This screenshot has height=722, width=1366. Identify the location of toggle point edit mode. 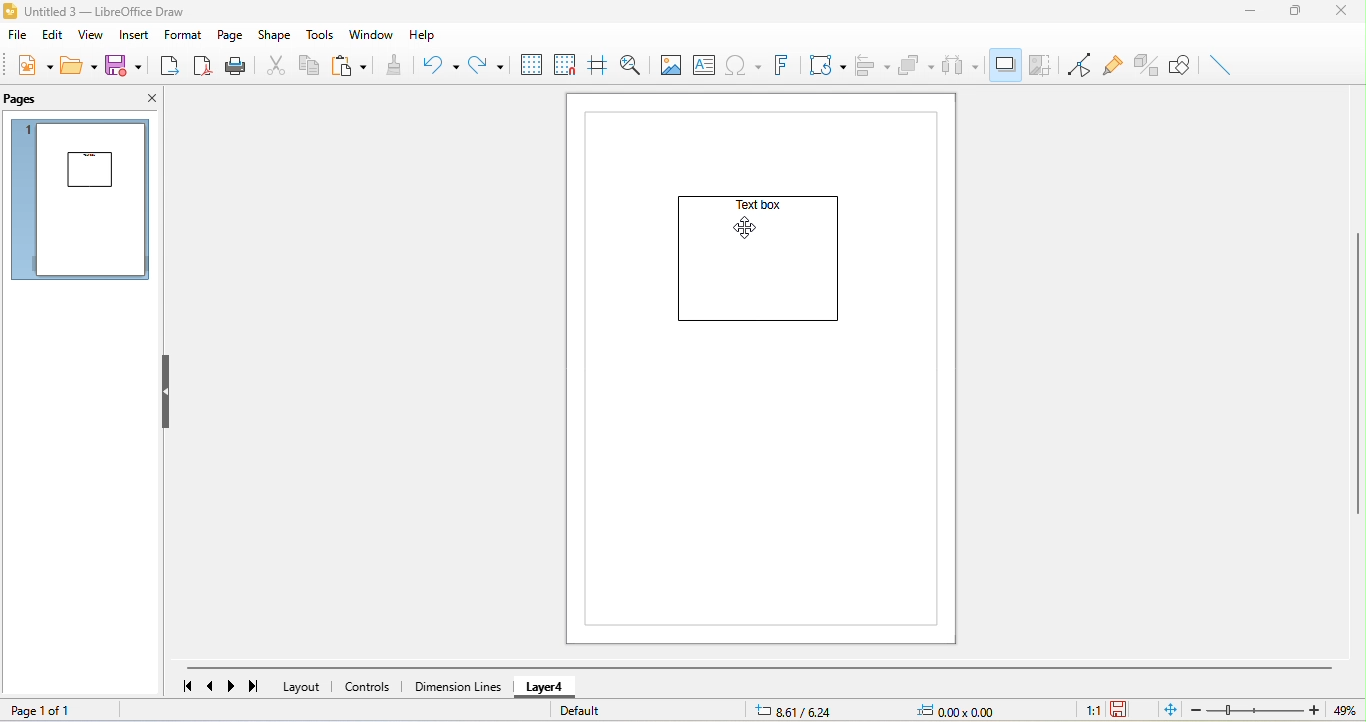
(1080, 65).